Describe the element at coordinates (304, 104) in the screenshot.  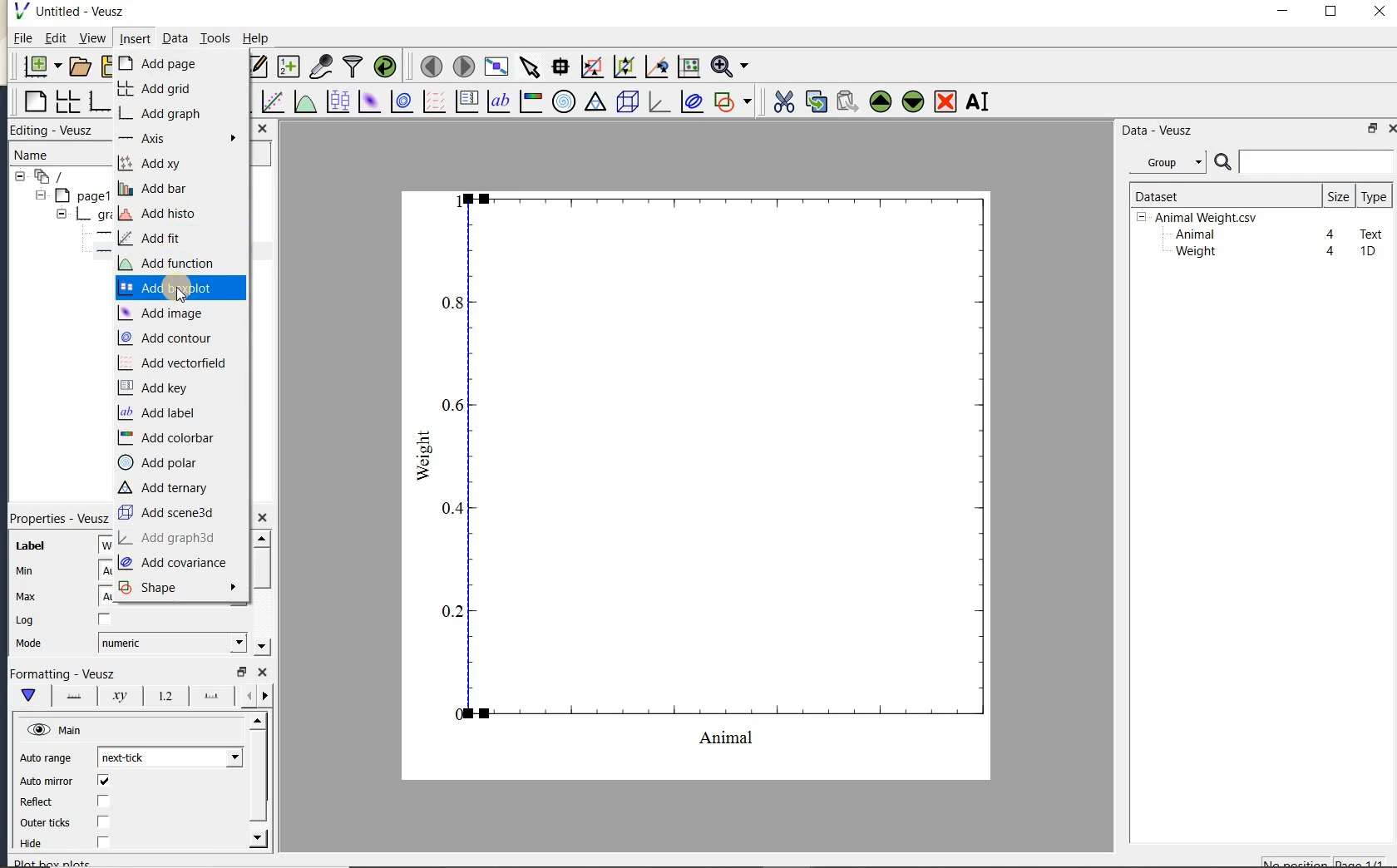
I see `plot a function` at that location.